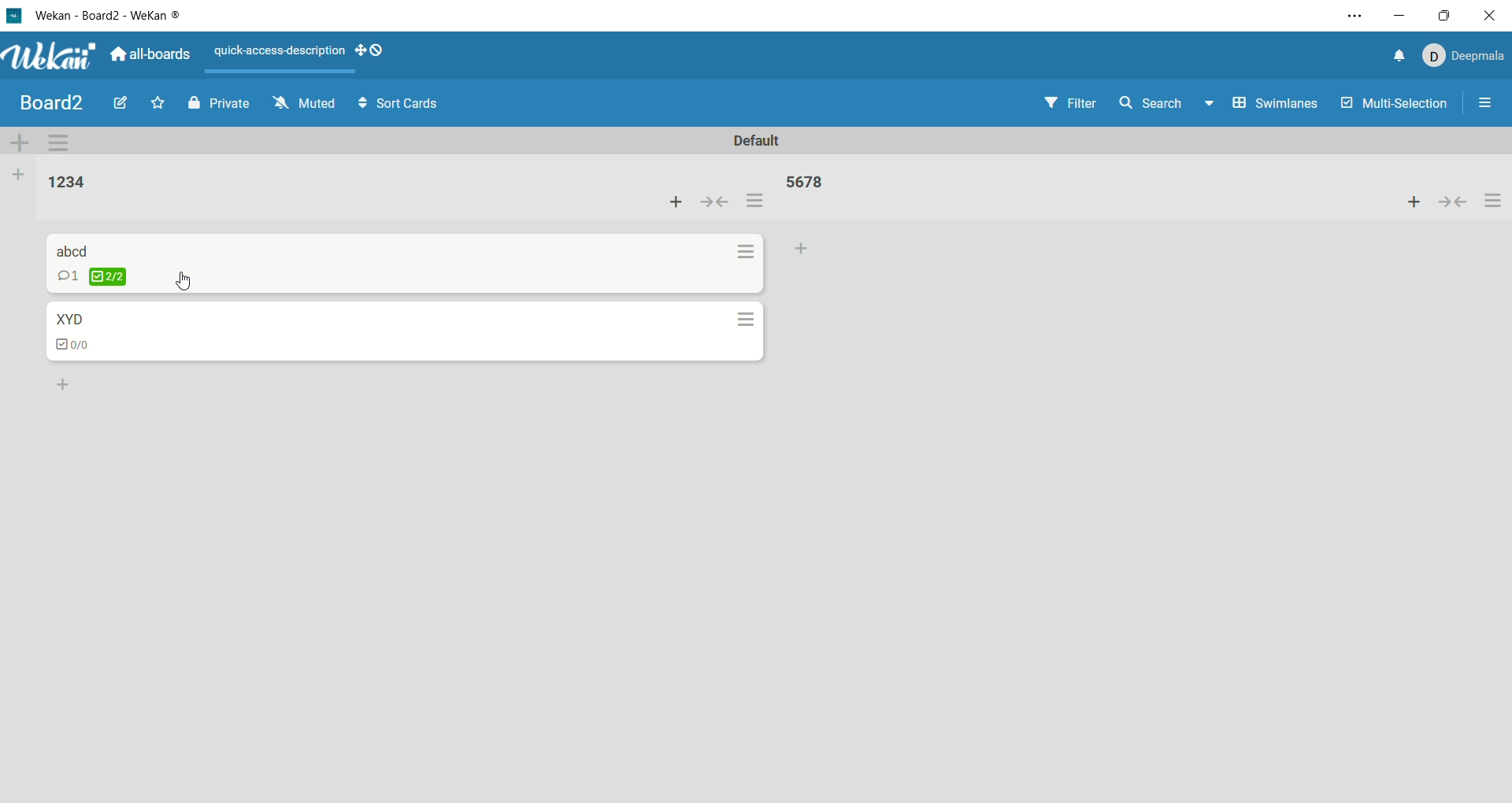 Image resolution: width=1512 pixels, height=803 pixels. I want to click on add, so click(1414, 198).